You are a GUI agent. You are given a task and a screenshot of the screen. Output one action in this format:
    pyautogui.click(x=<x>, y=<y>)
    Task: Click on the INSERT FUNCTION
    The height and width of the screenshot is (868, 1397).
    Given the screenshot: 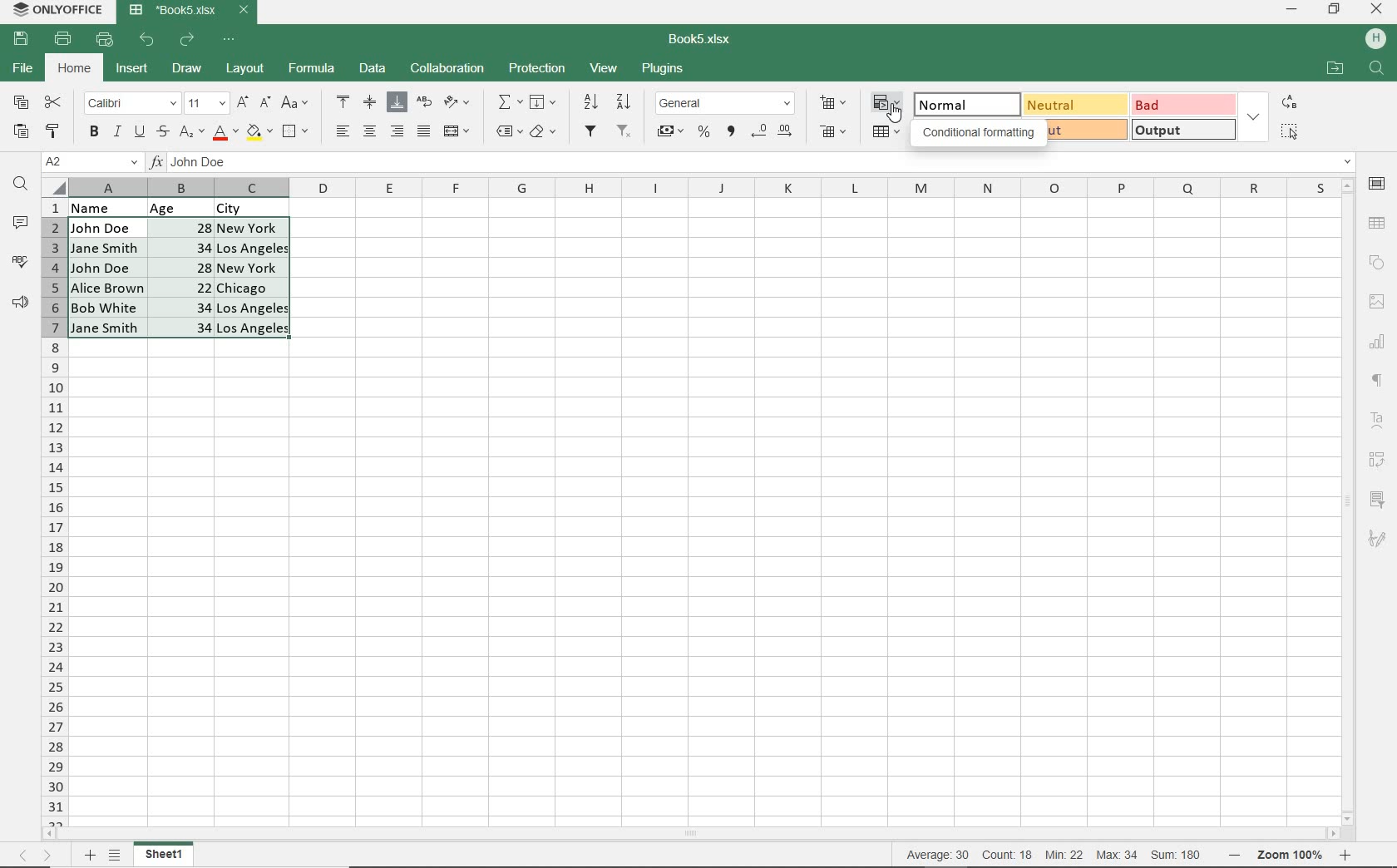 What is the action you would take?
    pyautogui.click(x=510, y=101)
    